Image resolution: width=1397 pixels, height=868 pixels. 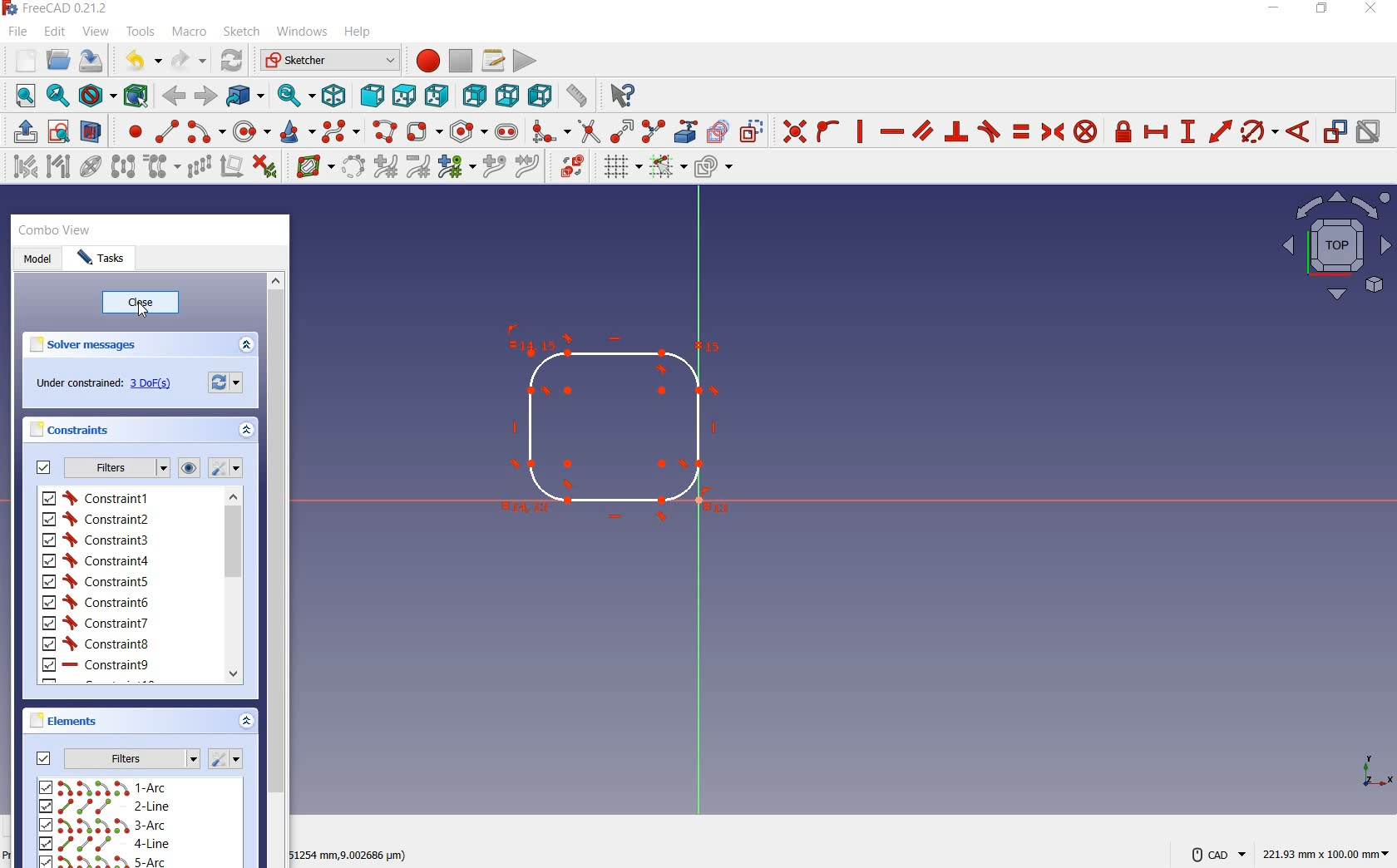 I want to click on new, so click(x=21, y=59).